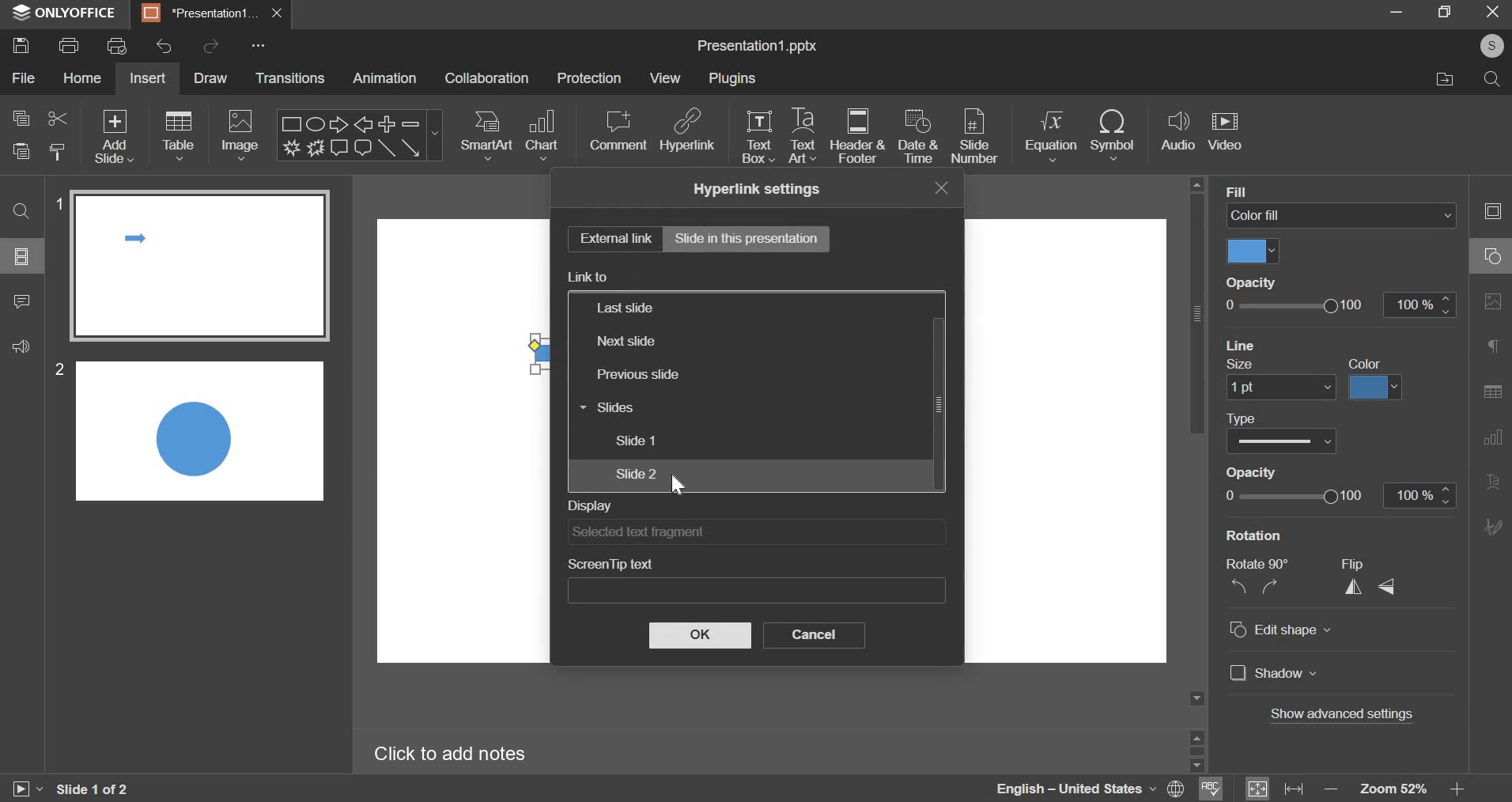  Describe the element at coordinates (259, 44) in the screenshot. I see `customise quick access` at that location.